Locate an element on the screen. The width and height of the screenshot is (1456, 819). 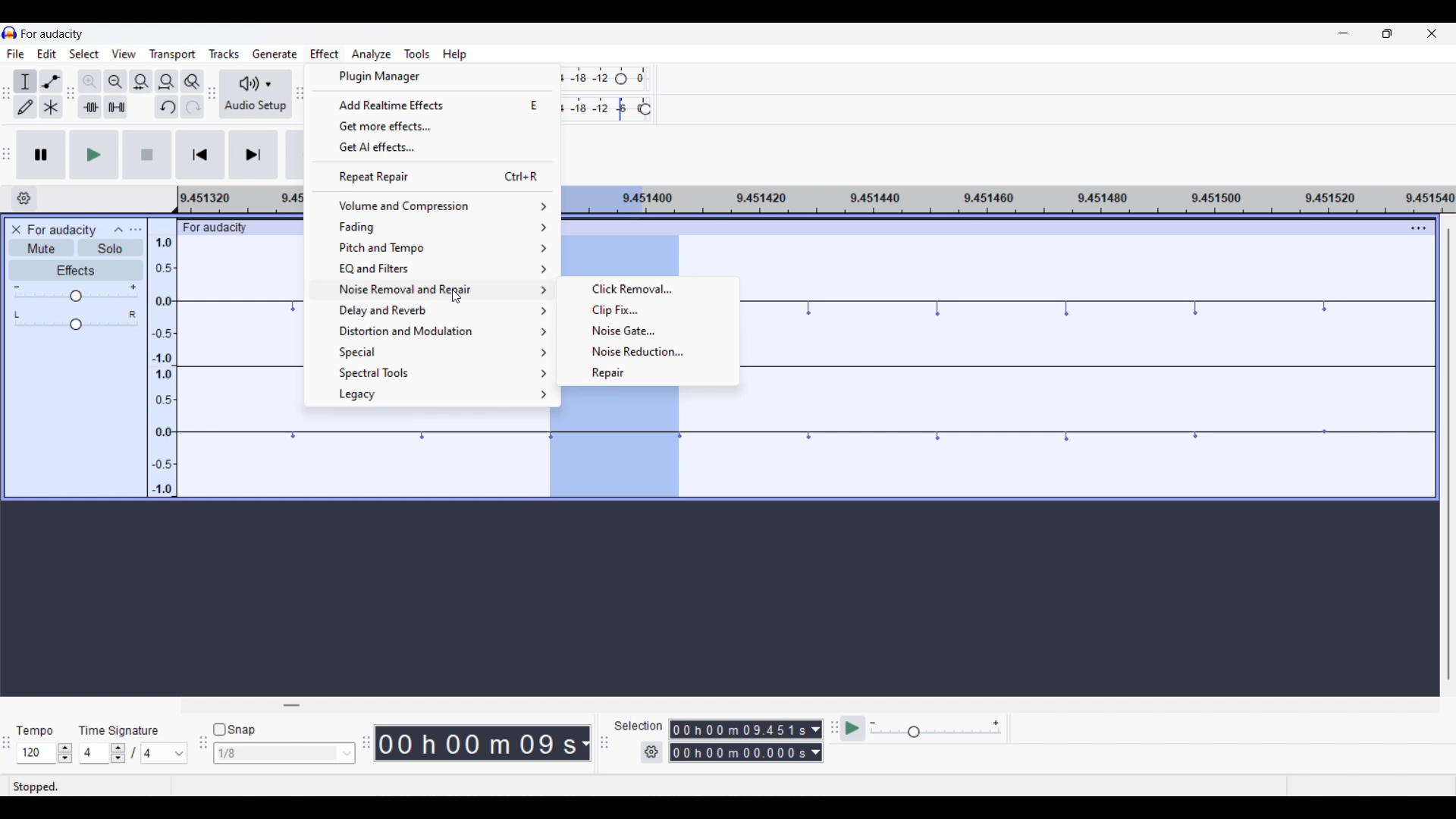
Minimize is located at coordinates (1343, 33).